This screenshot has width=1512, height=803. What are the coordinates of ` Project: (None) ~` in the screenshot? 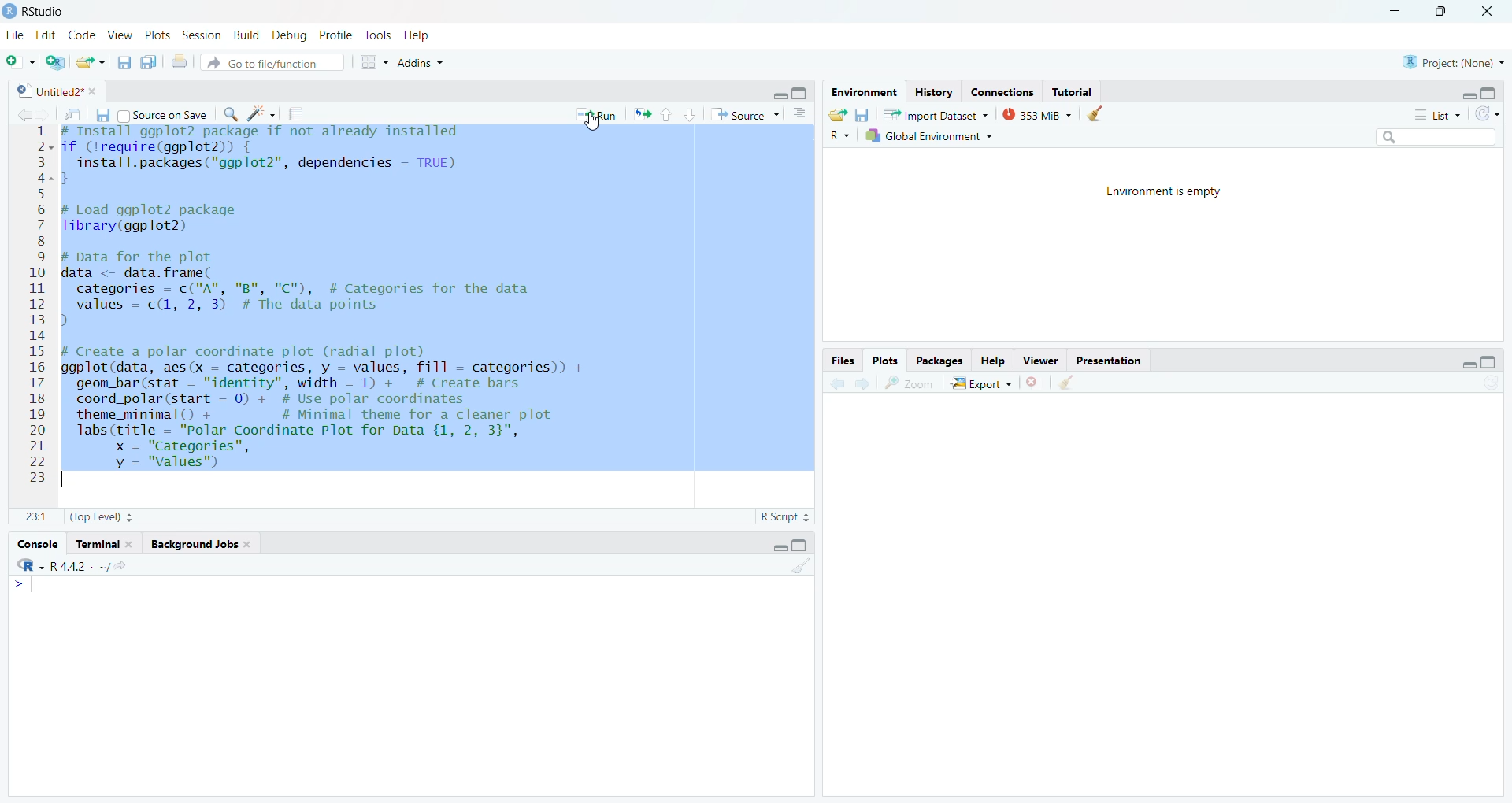 It's located at (1450, 64).